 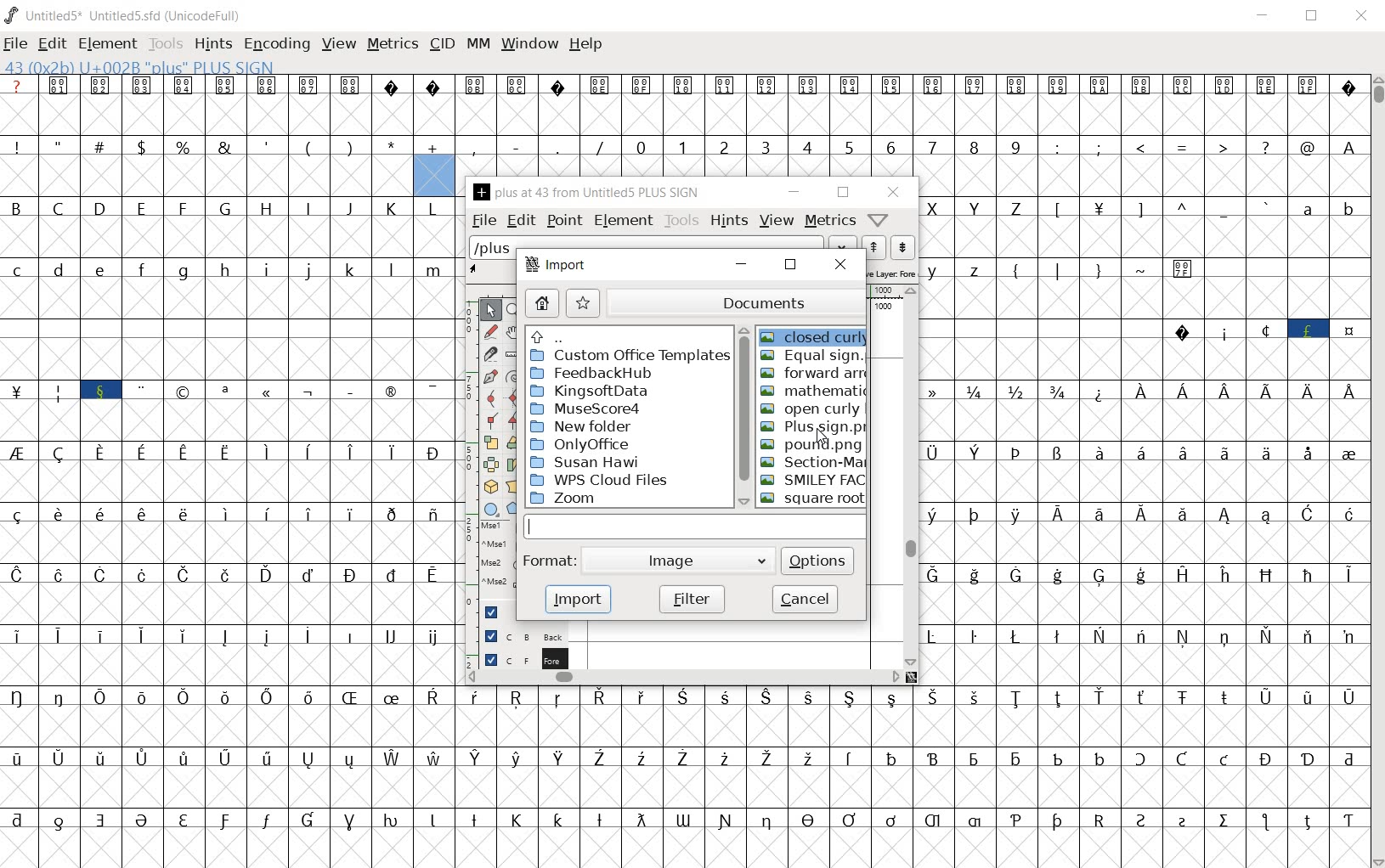 I want to click on show the next word on the list, so click(x=872, y=247).